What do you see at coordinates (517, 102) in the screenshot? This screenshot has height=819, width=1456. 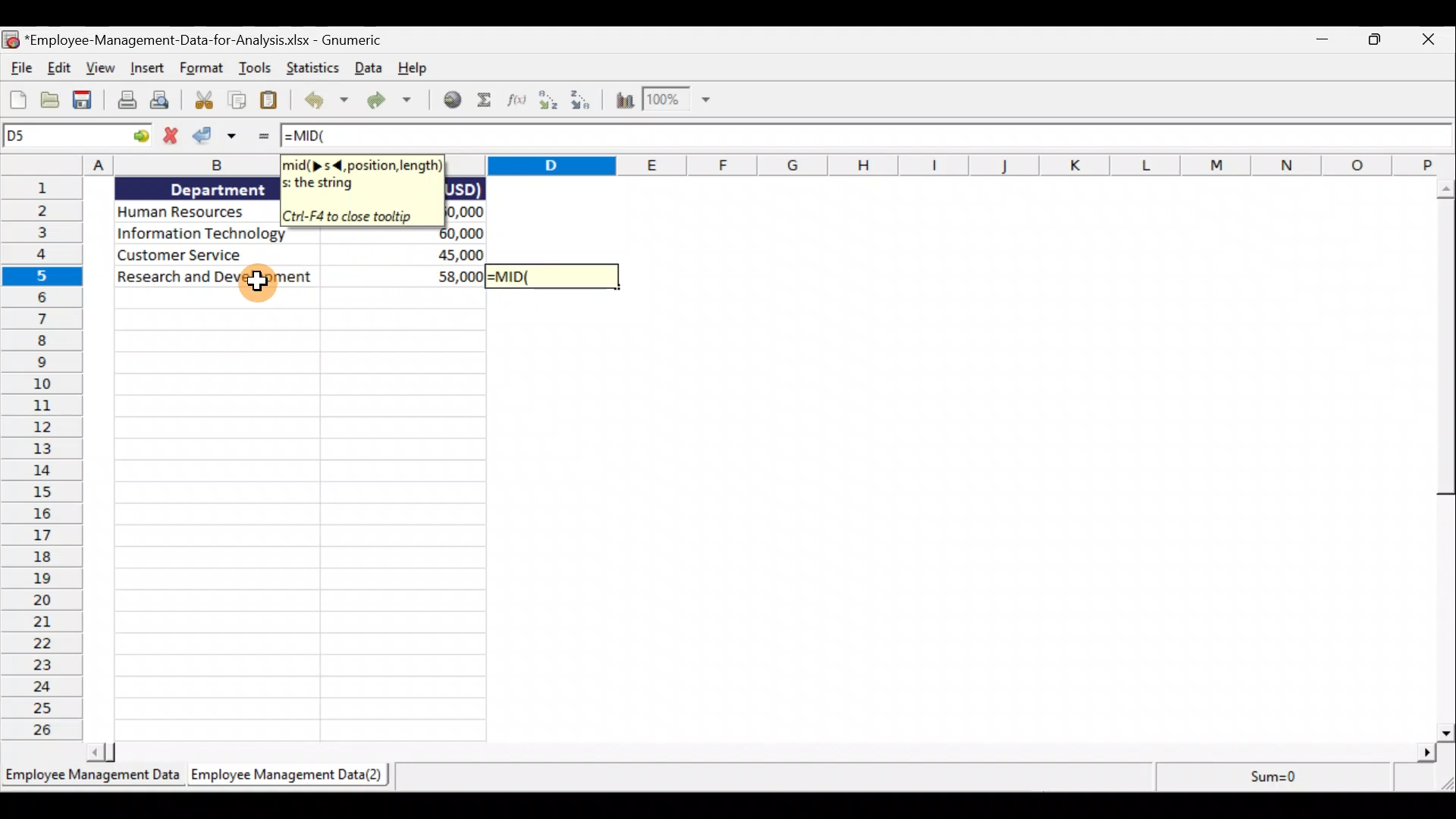 I see `Edit a function in the current cell` at bounding box center [517, 102].